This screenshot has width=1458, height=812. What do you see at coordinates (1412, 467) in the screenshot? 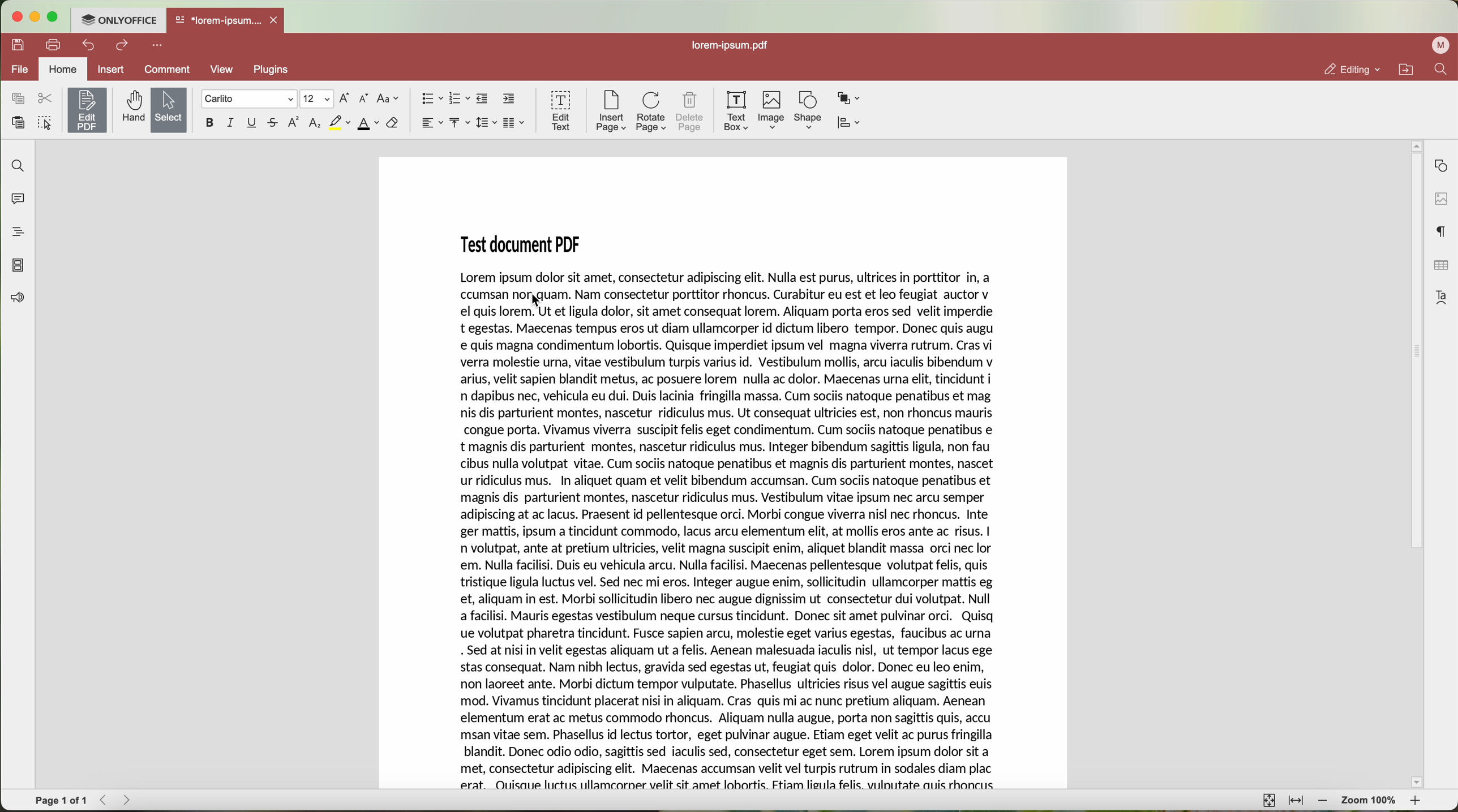
I see `scroll bar` at bounding box center [1412, 467].